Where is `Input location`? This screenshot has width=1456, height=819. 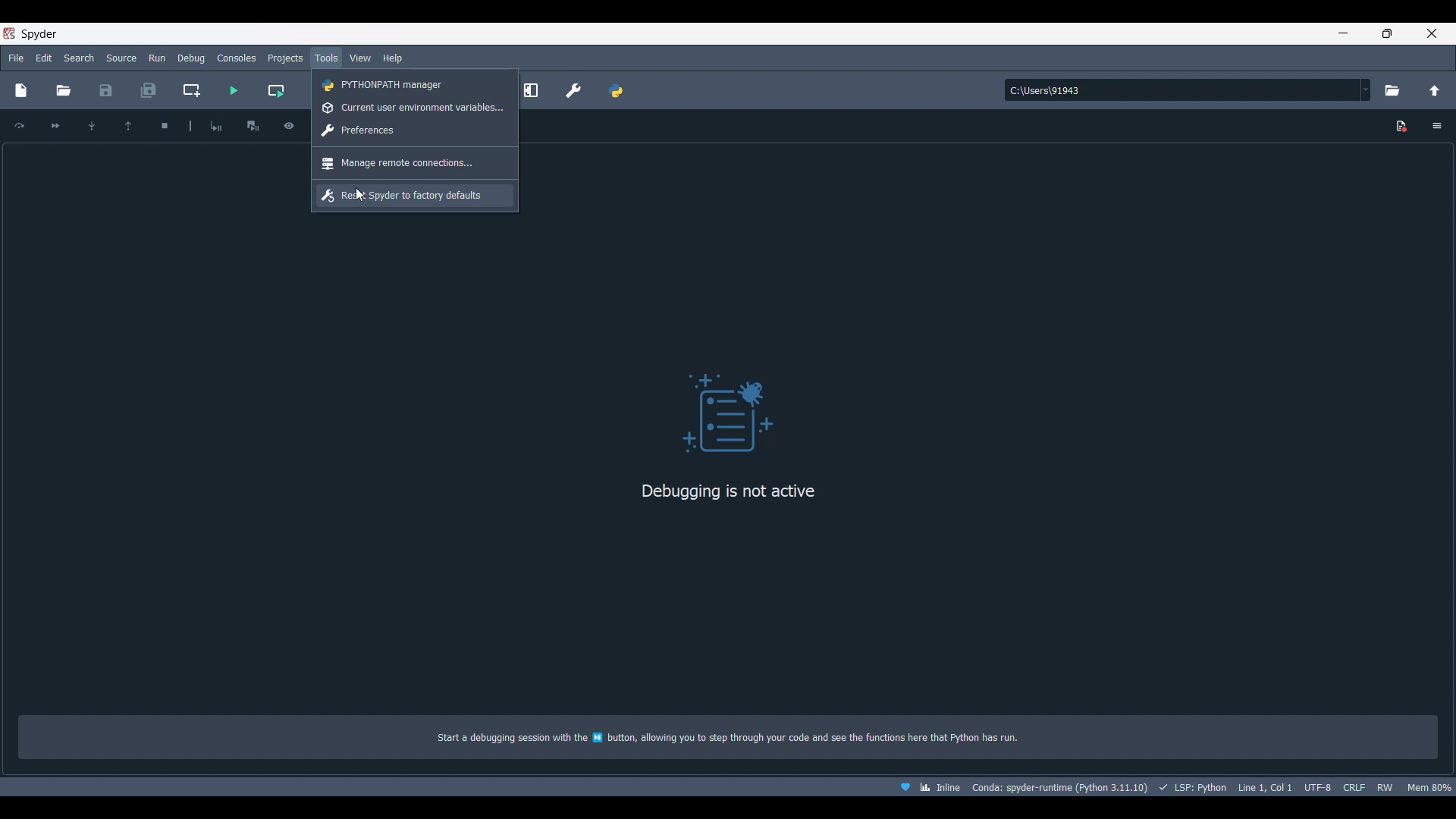
Input location is located at coordinates (1182, 90).